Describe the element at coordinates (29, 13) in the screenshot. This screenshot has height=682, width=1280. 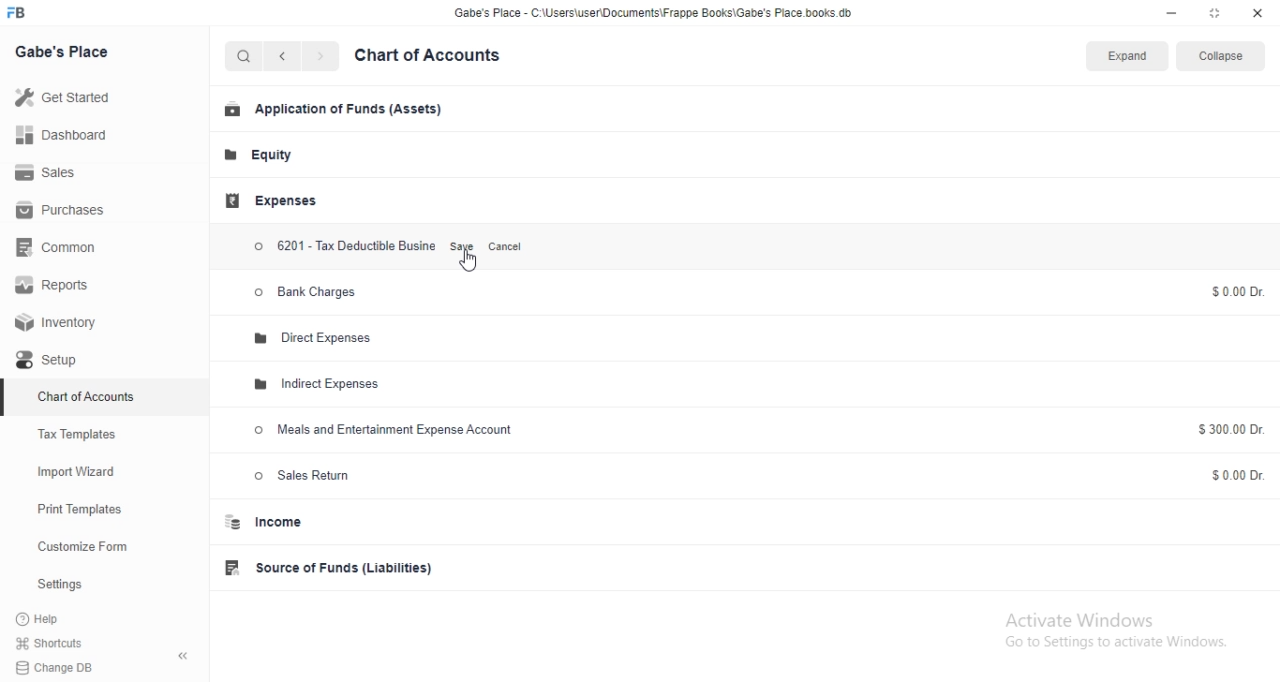
I see `FB` at that location.